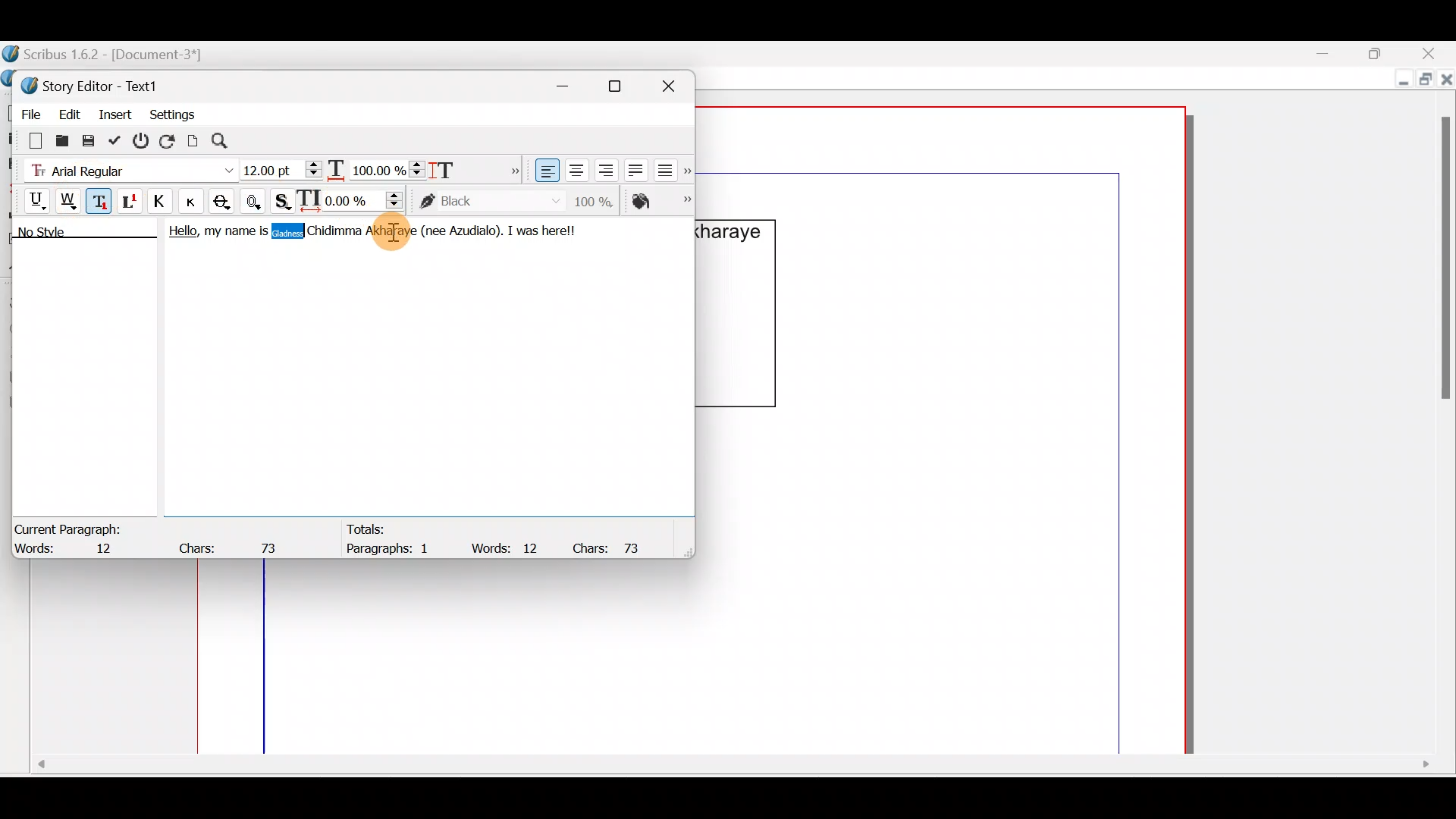 This screenshot has height=819, width=1456. Describe the element at coordinates (376, 167) in the screenshot. I see `Scaling width of characters` at that location.